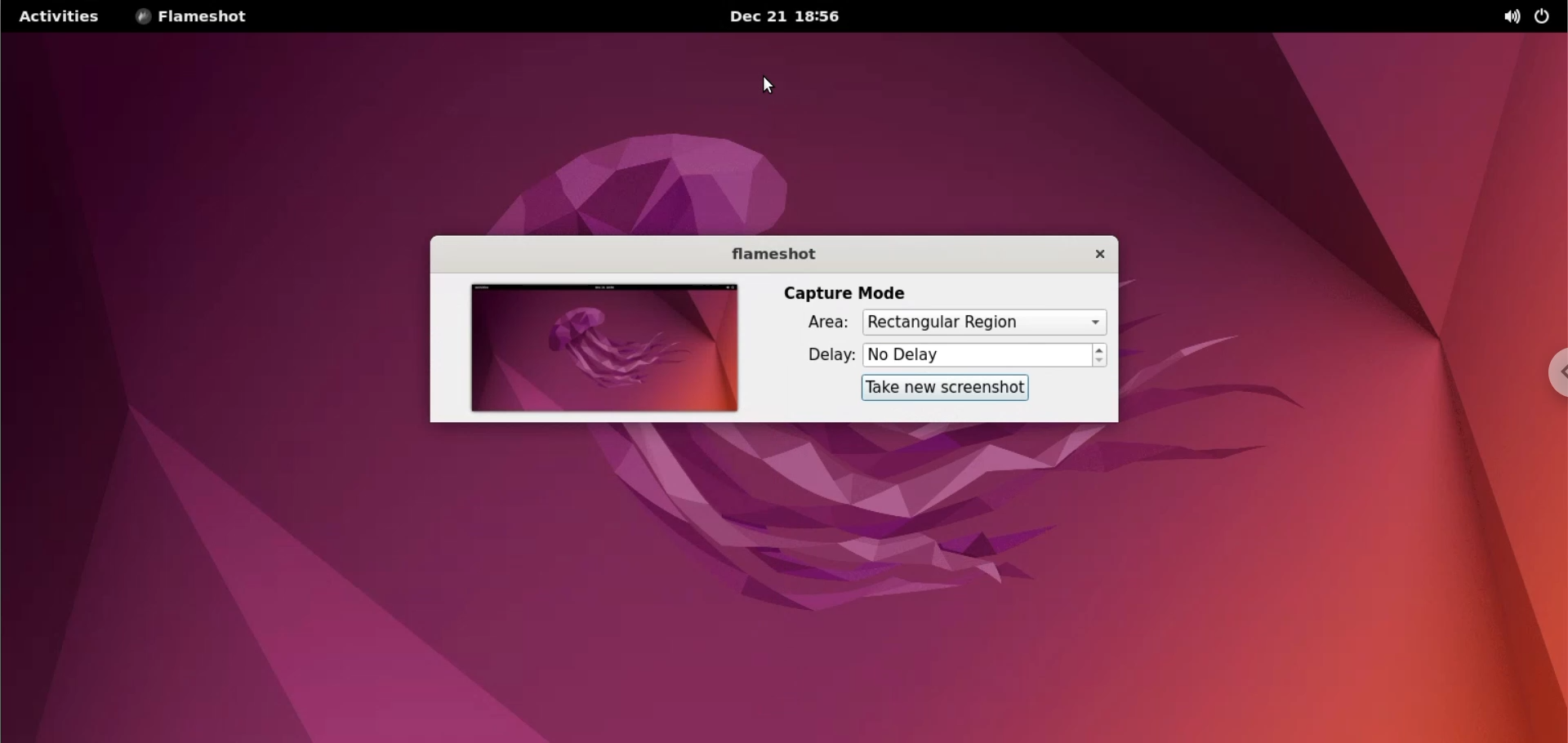 The width and height of the screenshot is (1568, 743). Describe the element at coordinates (817, 323) in the screenshot. I see `area` at that location.